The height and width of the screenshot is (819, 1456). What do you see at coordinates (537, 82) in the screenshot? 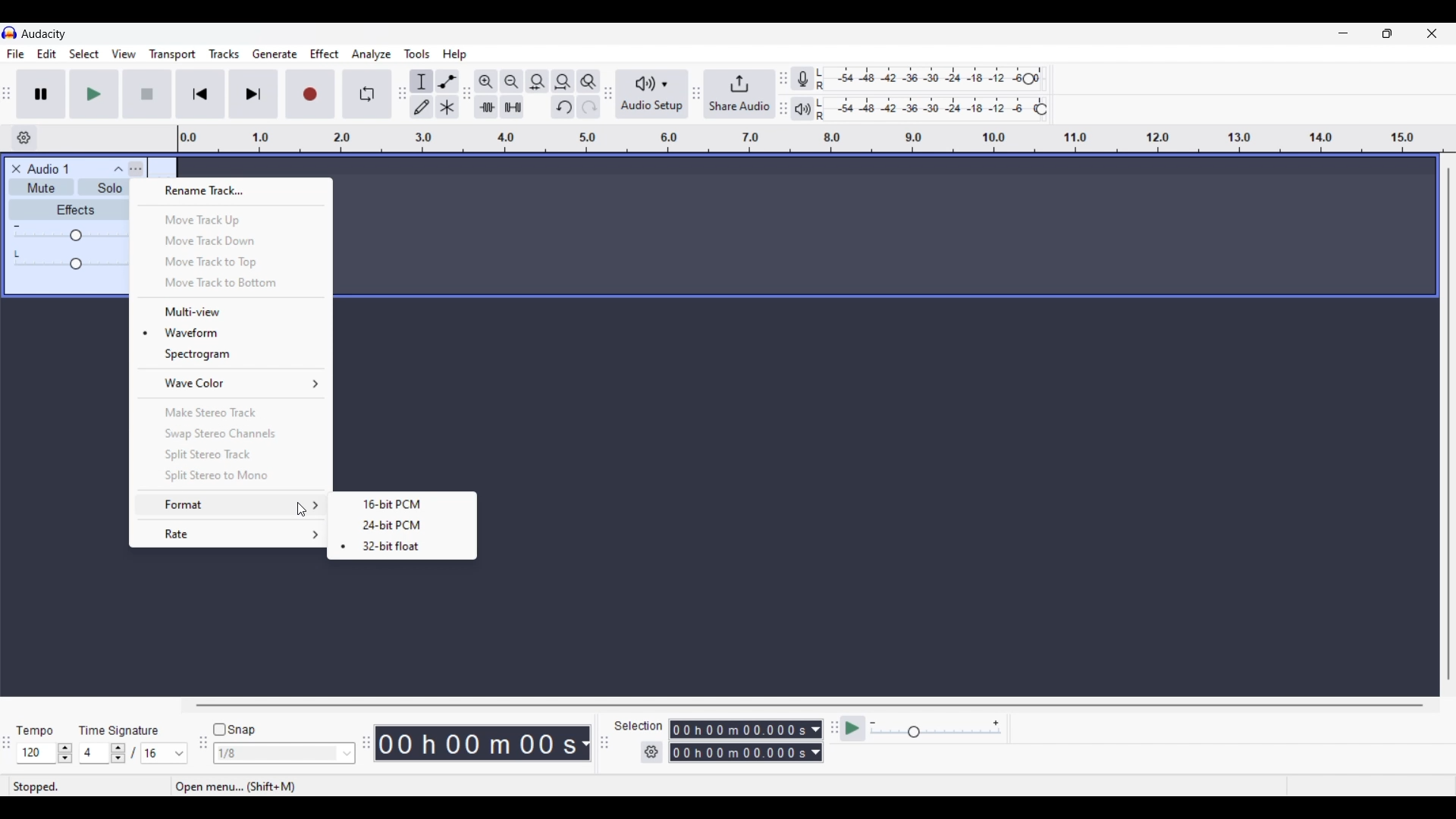
I see `Fit selection to width` at bounding box center [537, 82].